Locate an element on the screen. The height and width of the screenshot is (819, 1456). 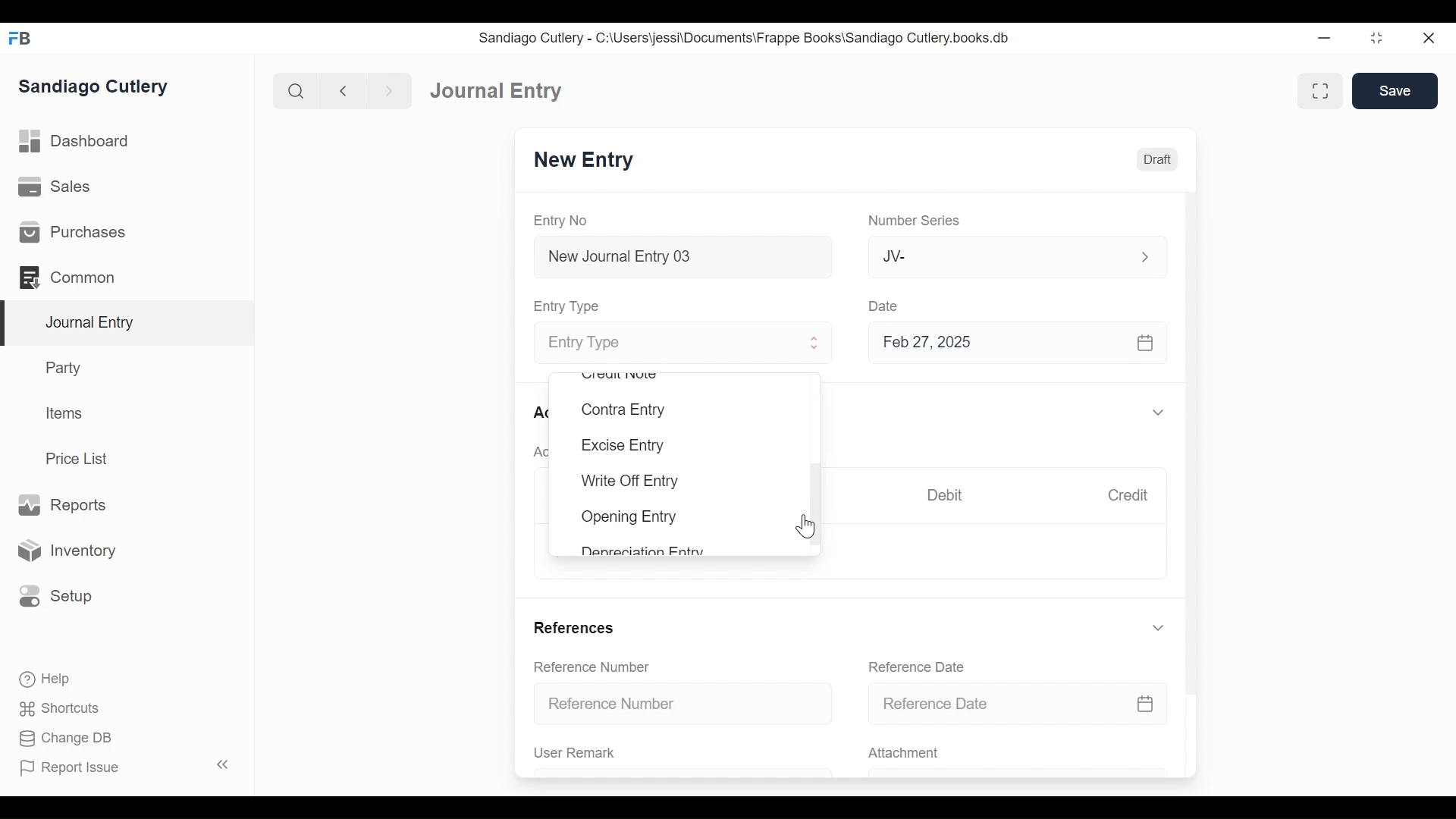
Vertical Scroll bar is located at coordinates (1194, 431).